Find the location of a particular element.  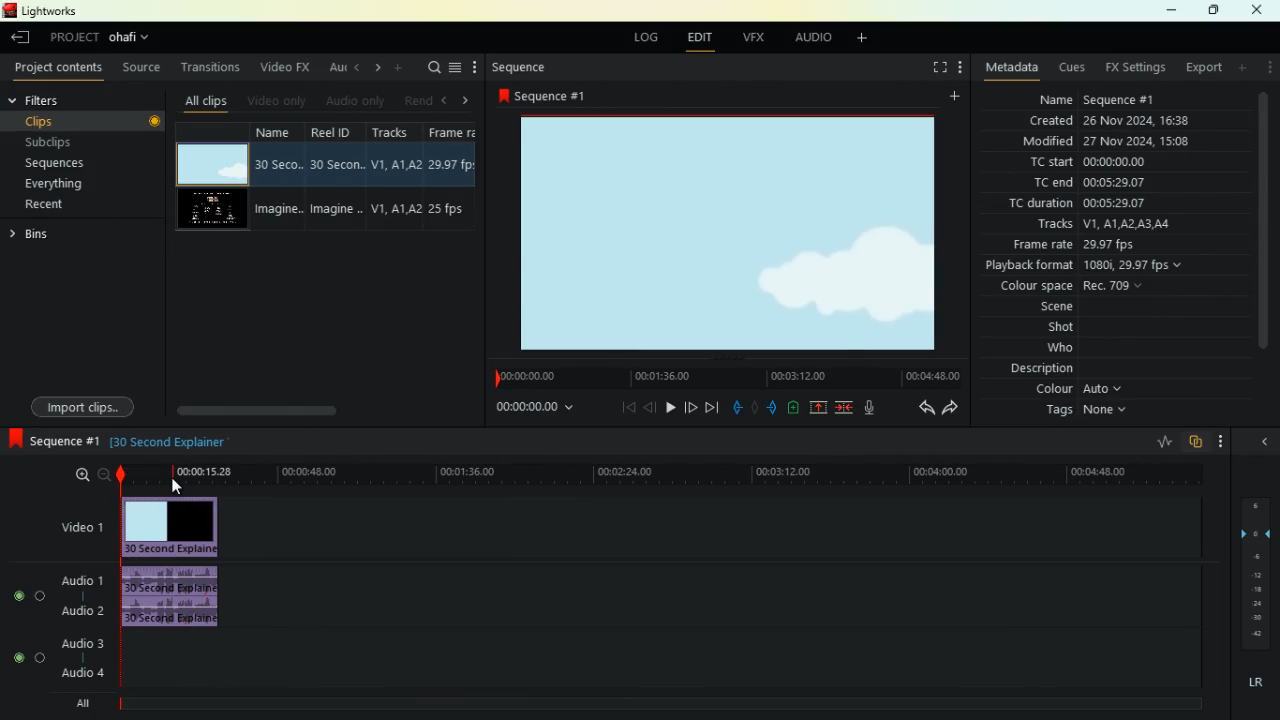

00:05:29.07 is located at coordinates (1121, 203).